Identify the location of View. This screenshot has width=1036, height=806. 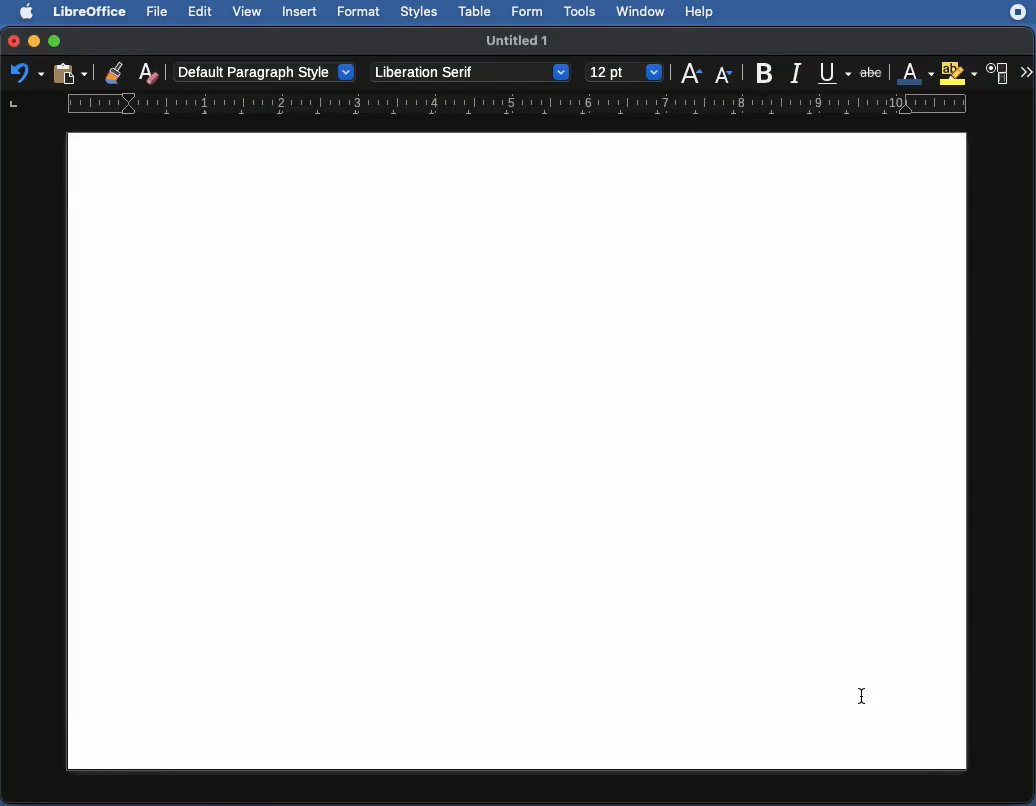
(248, 12).